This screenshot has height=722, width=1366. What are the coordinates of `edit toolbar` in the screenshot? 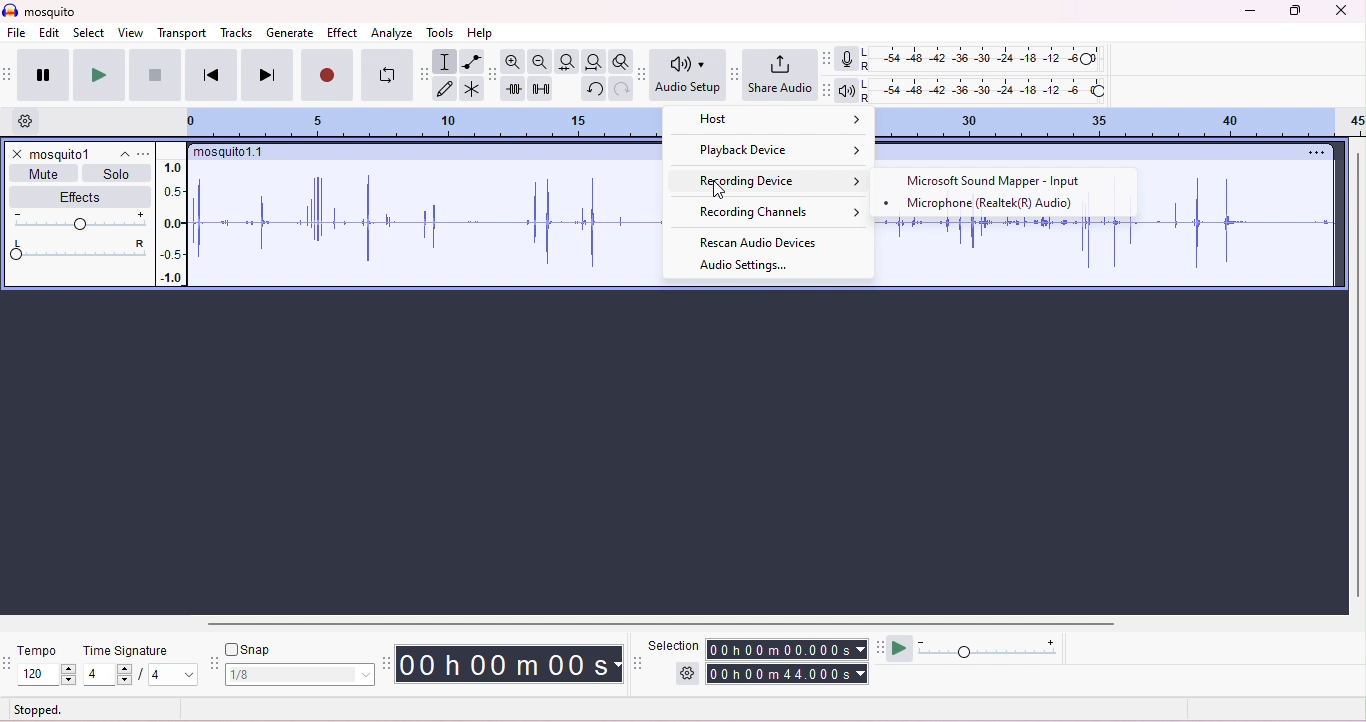 It's located at (493, 75).